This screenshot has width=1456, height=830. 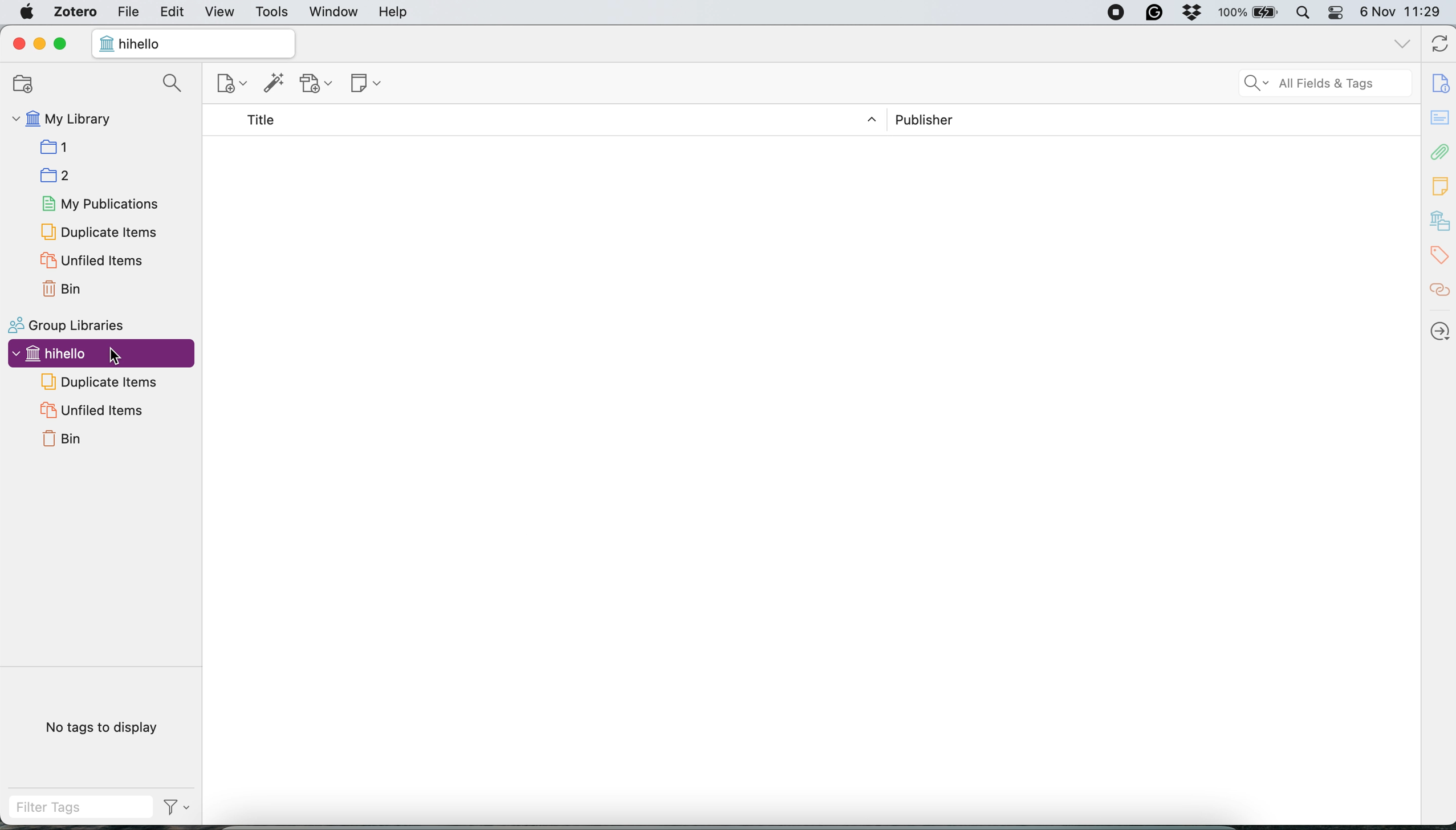 What do you see at coordinates (1381, 13) in the screenshot?
I see `6 Nov` at bounding box center [1381, 13].